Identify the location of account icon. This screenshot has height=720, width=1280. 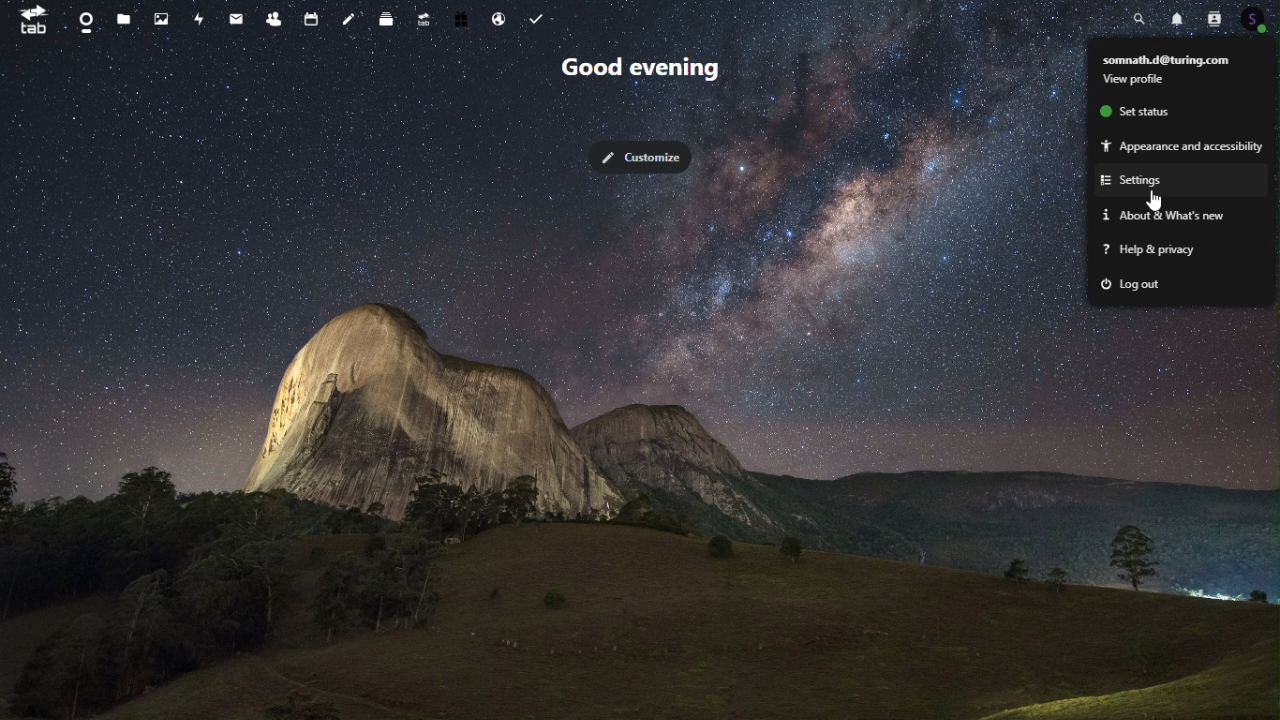
(1256, 21).